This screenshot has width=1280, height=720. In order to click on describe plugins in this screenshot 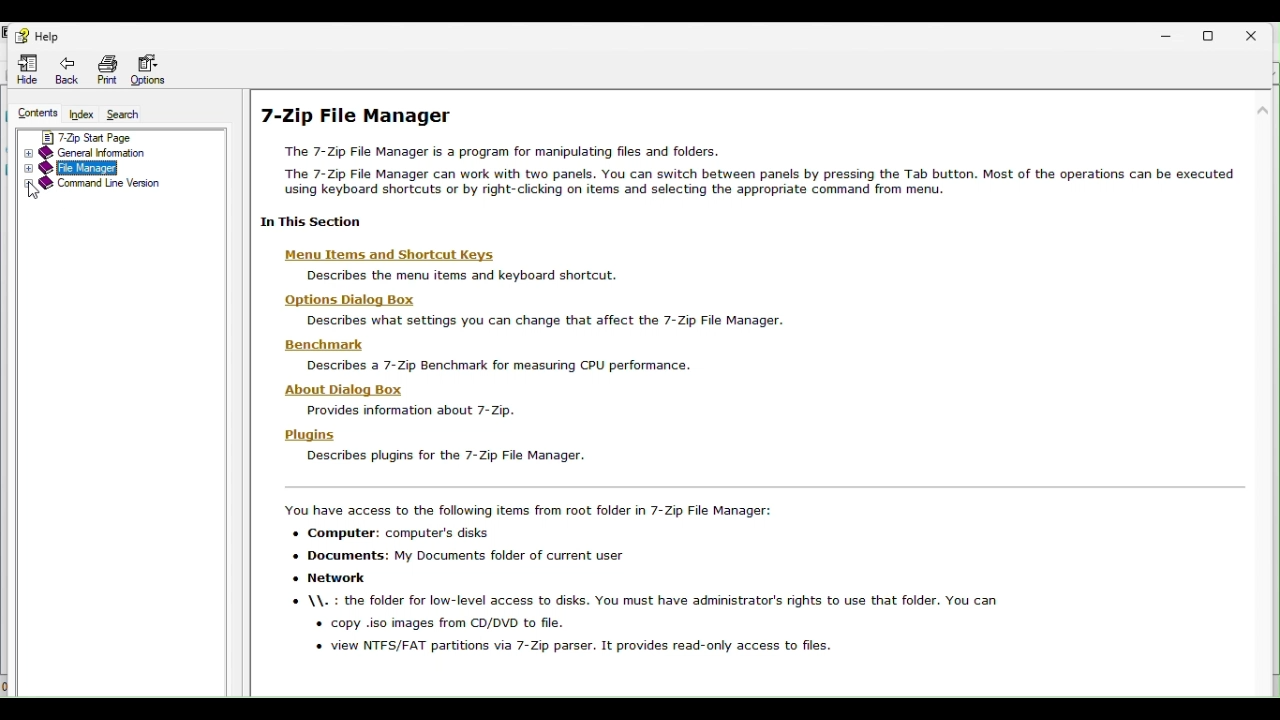, I will do `click(445, 459)`.